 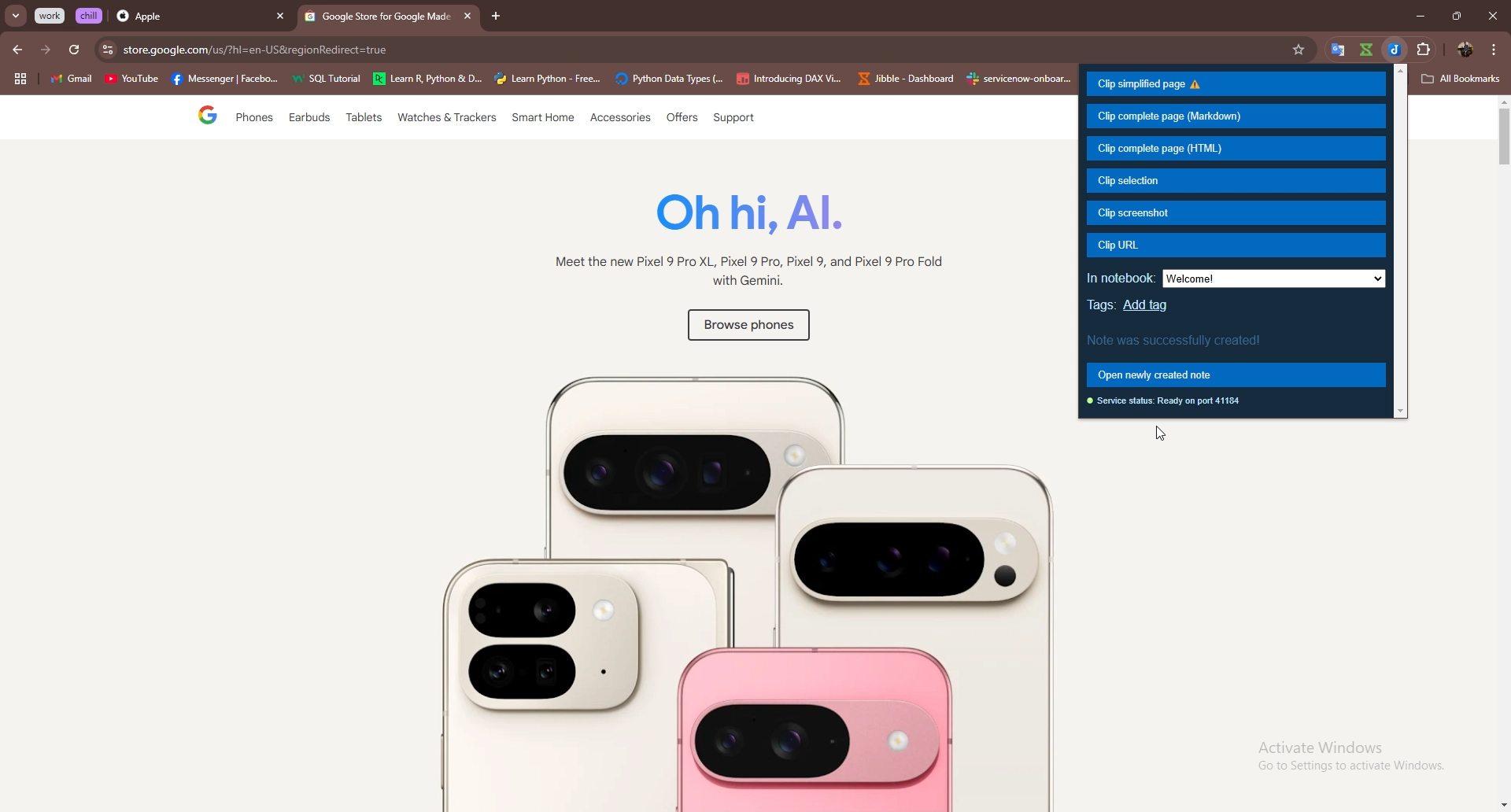 What do you see at coordinates (740, 244) in the screenshot?
I see `Oh ni, Al.
Meet the new Pixel 9 Pro XL, Pixel 9 Pro, Pixel 9, and Pixel 9 Pro Fold
with Gemini.` at bounding box center [740, 244].